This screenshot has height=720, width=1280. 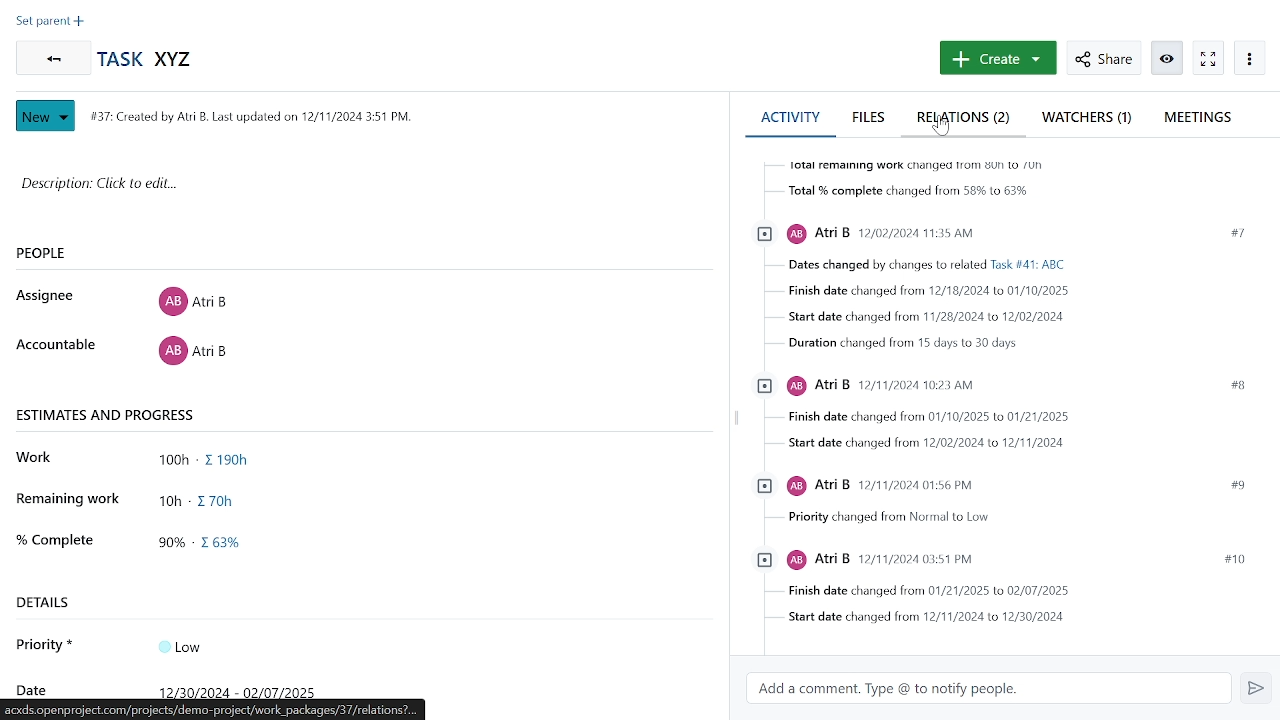 What do you see at coordinates (897, 193) in the screenshot?
I see `total % complete changed from 50% to 63%` at bounding box center [897, 193].